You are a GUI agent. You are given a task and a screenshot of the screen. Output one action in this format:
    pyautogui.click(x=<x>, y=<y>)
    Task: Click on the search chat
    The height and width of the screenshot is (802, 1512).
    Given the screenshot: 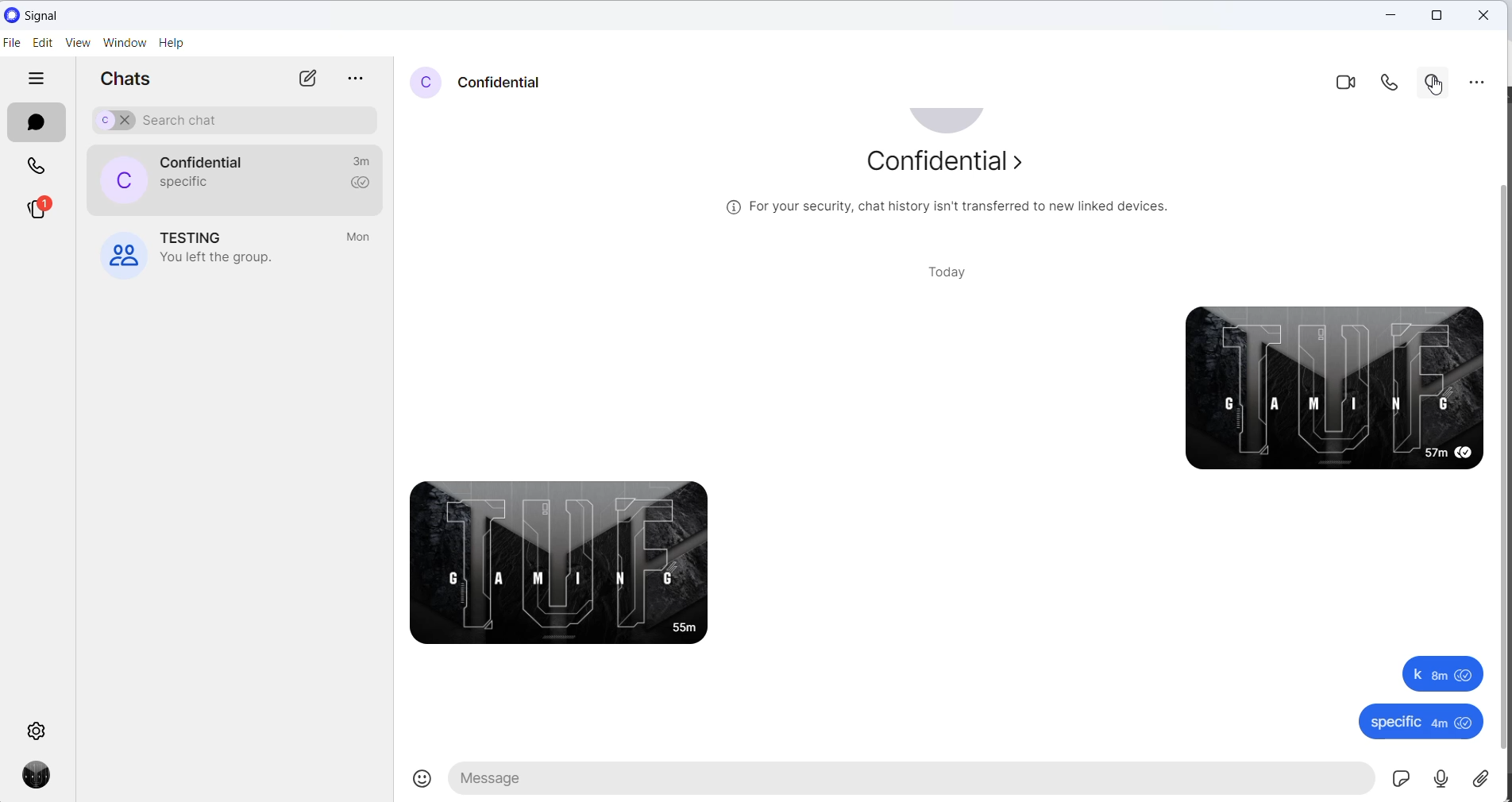 What is the action you would take?
    pyautogui.click(x=254, y=122)
    